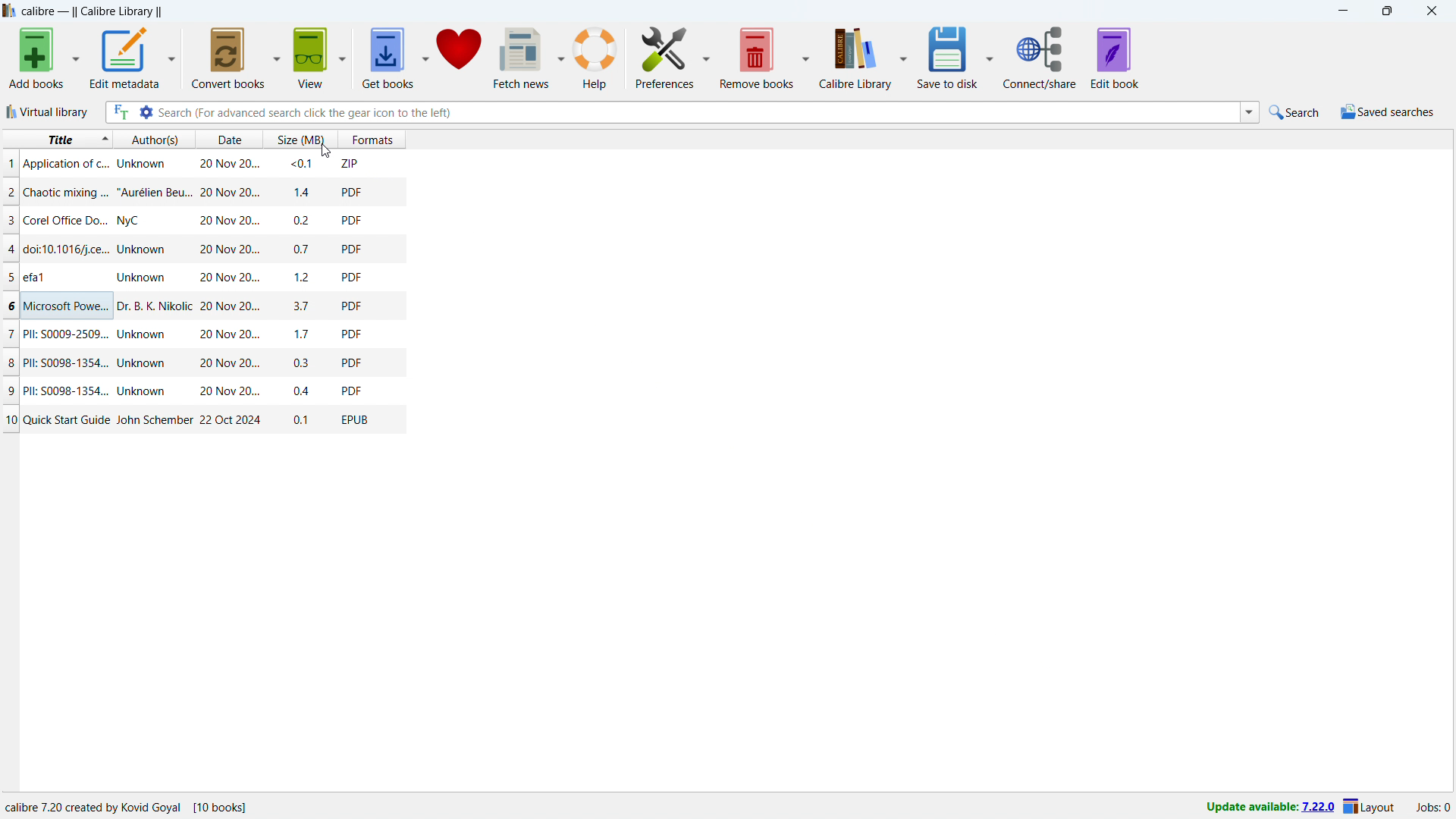 The image size is (1456, 819). I want to click on cursor, so click(323, 152).